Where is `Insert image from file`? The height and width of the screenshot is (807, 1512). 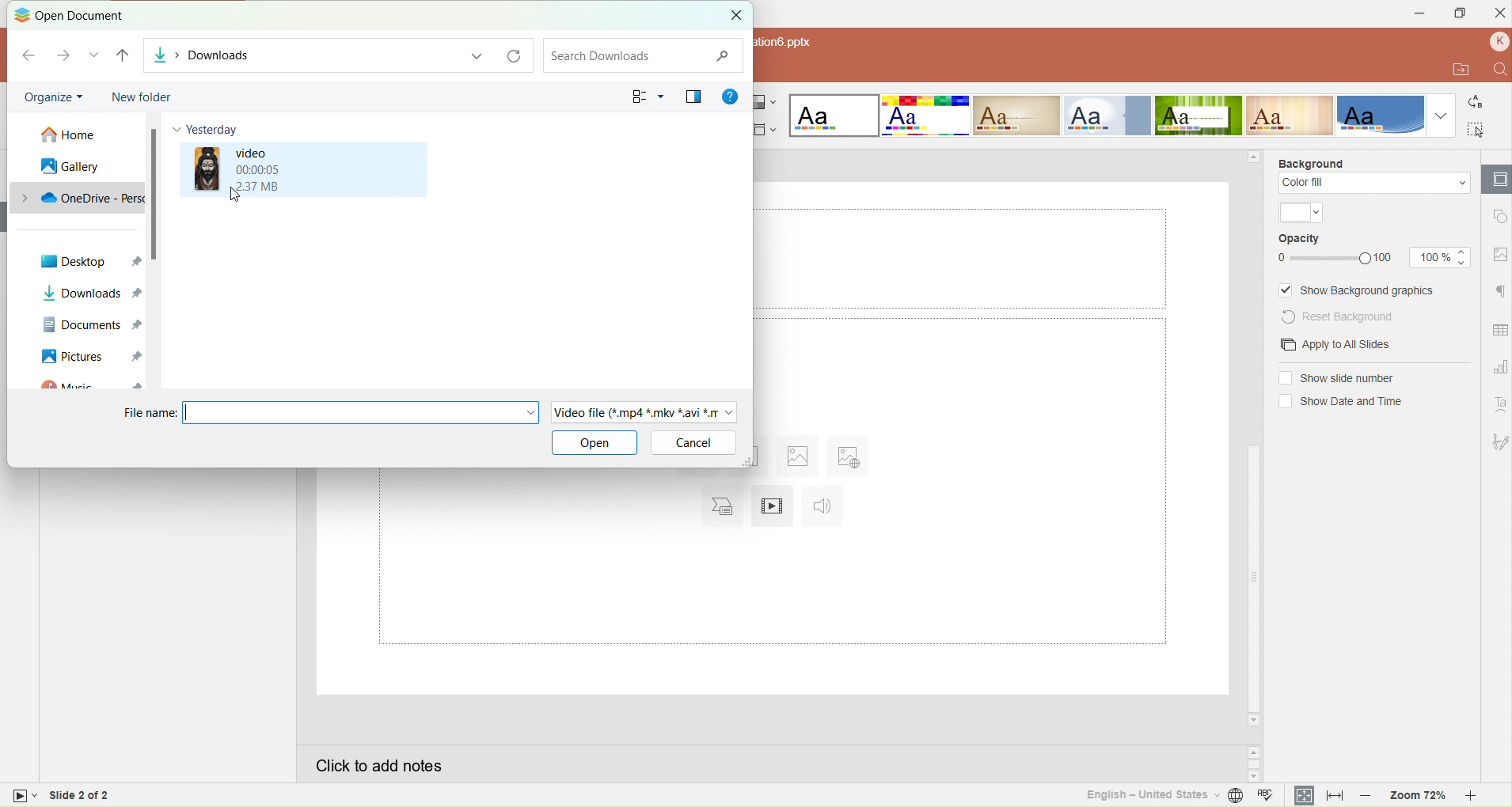 Insert image from file is located at coordinates (800, 457).